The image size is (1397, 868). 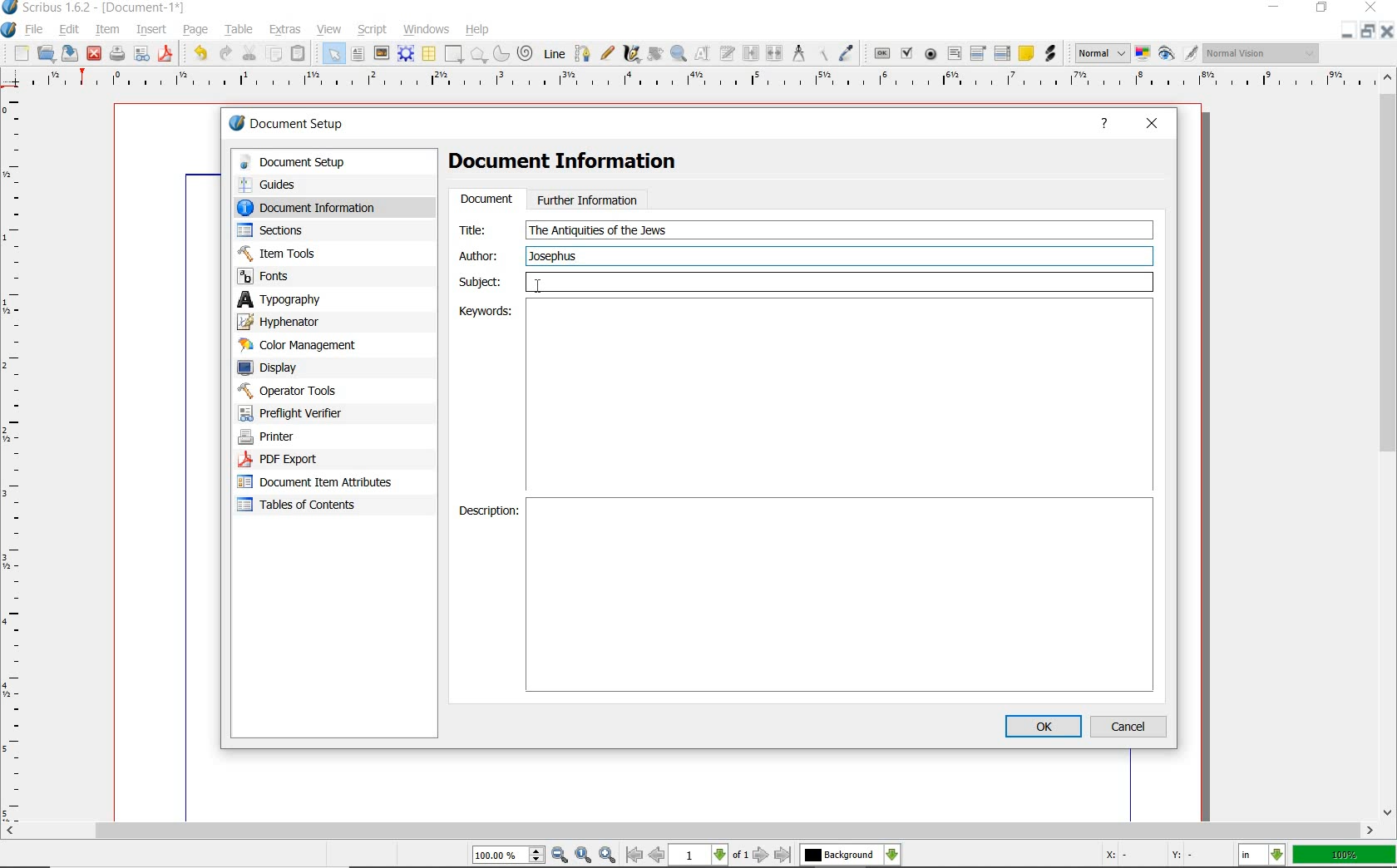 What do you see at coordinates (632, 55) in the screenshot?
I see `calligraphic line` at bounding box center [632, 55].